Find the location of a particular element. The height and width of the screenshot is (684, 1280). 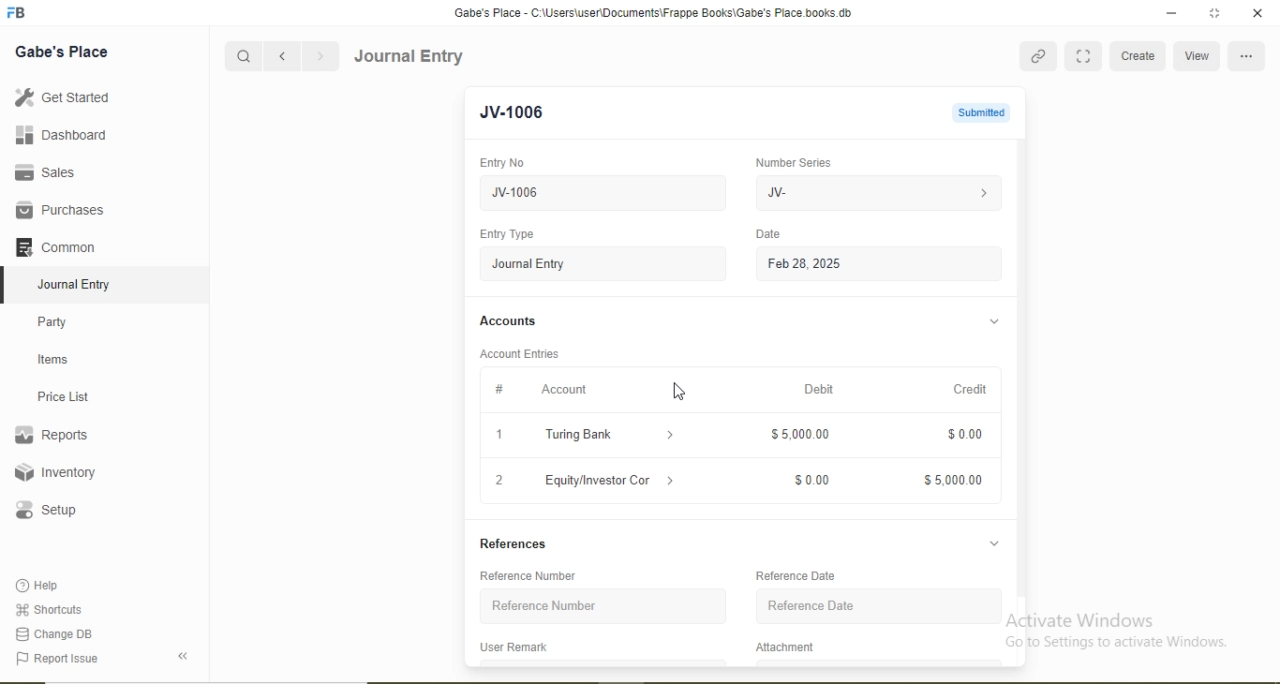

Backward is located at coordinates (282, 57).